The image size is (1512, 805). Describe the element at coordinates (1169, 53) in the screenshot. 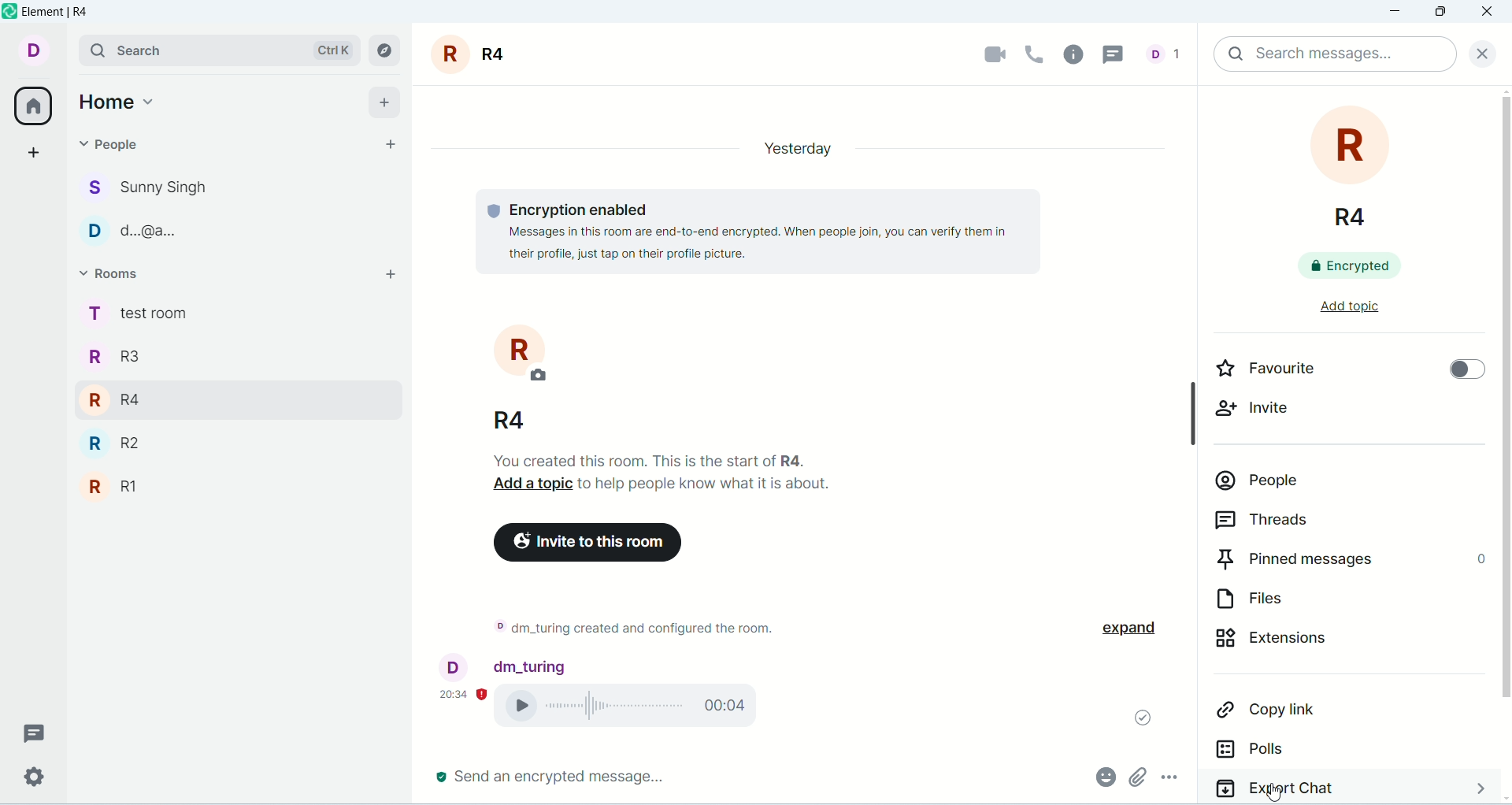

I see `people` at that location.